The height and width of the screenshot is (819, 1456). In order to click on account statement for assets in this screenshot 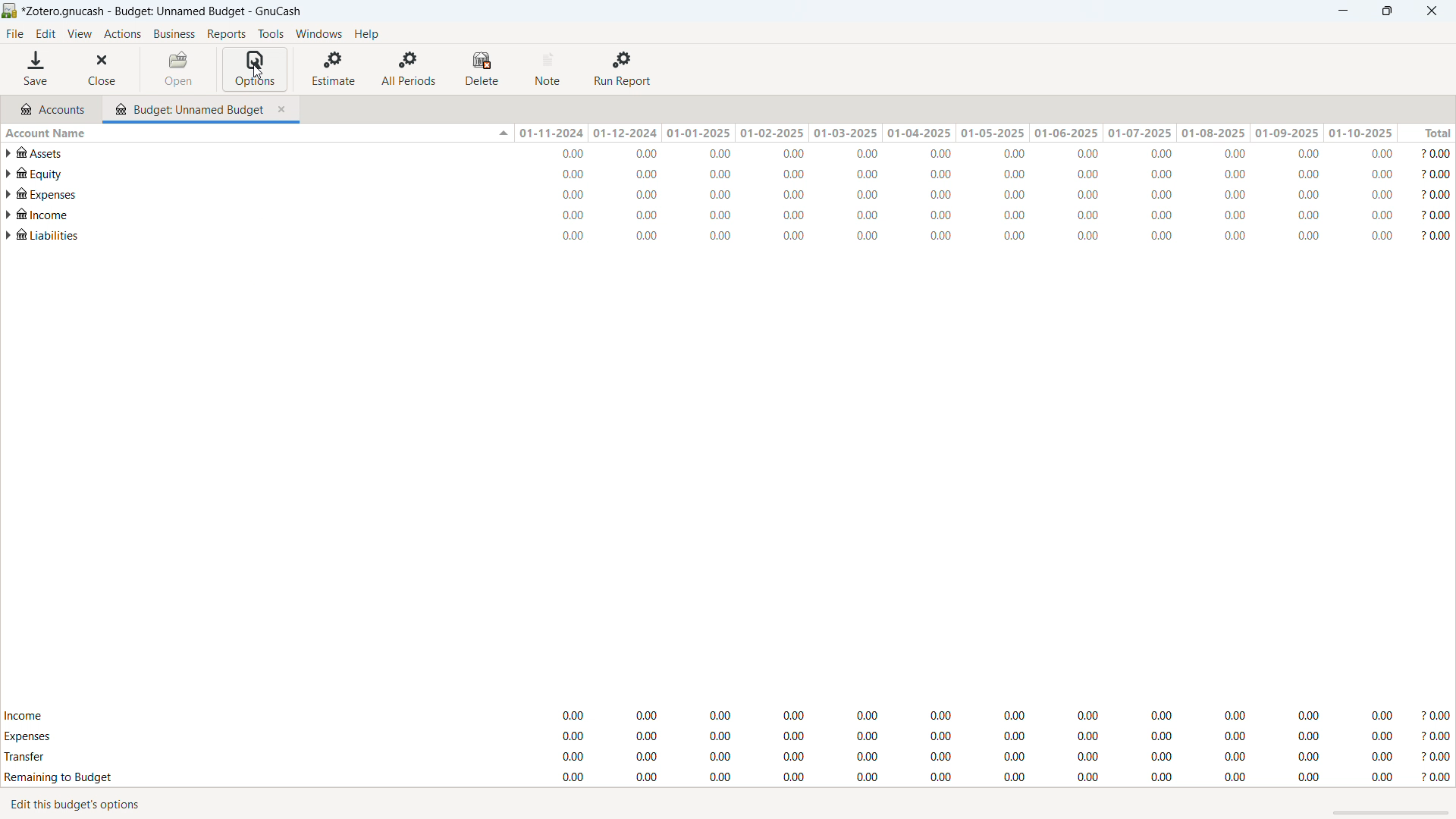, I will do `click(736, 153)`.